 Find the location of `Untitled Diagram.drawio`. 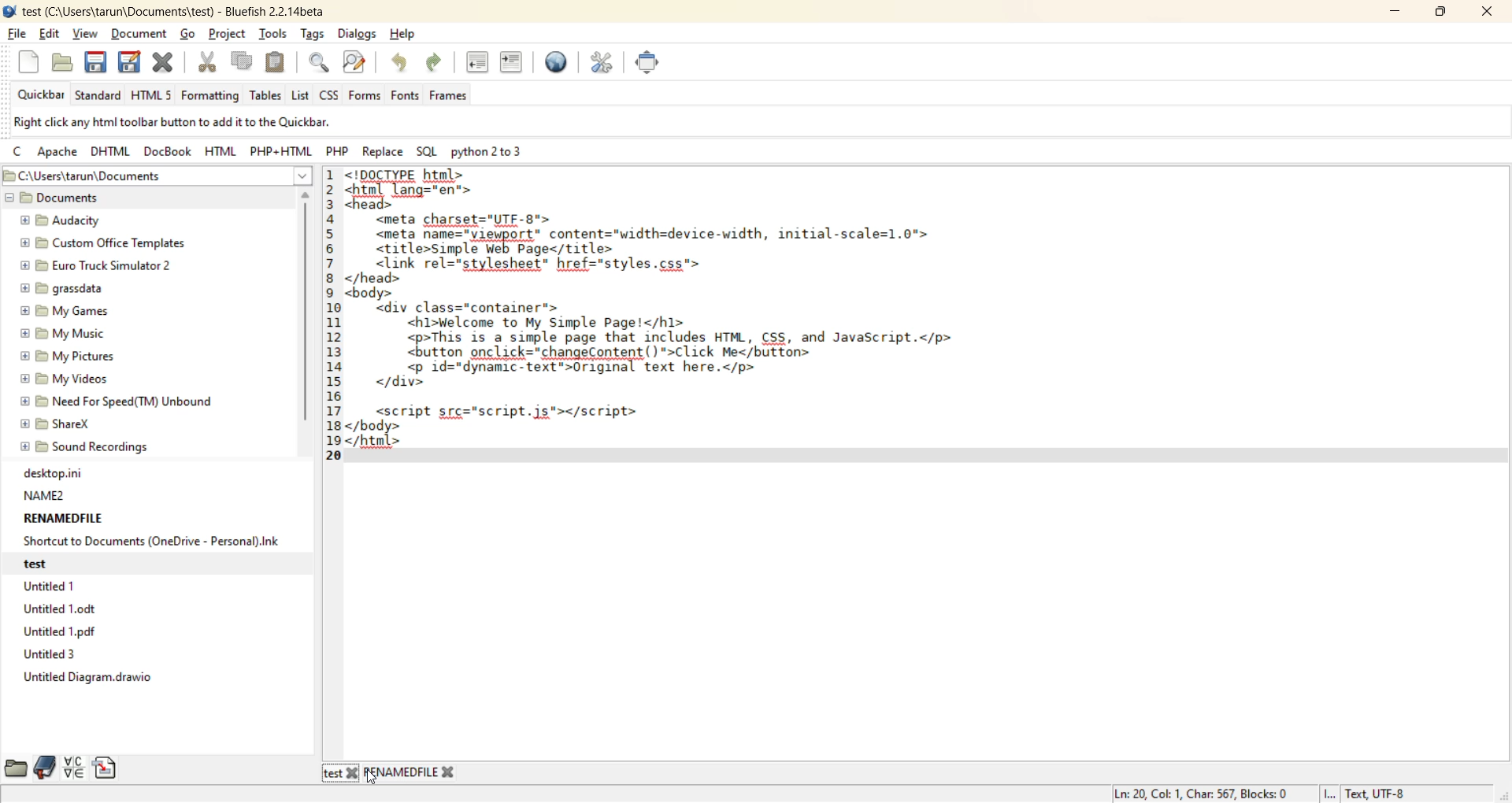

Untitled Diagram.drawio is located at coordinates (88, 679).